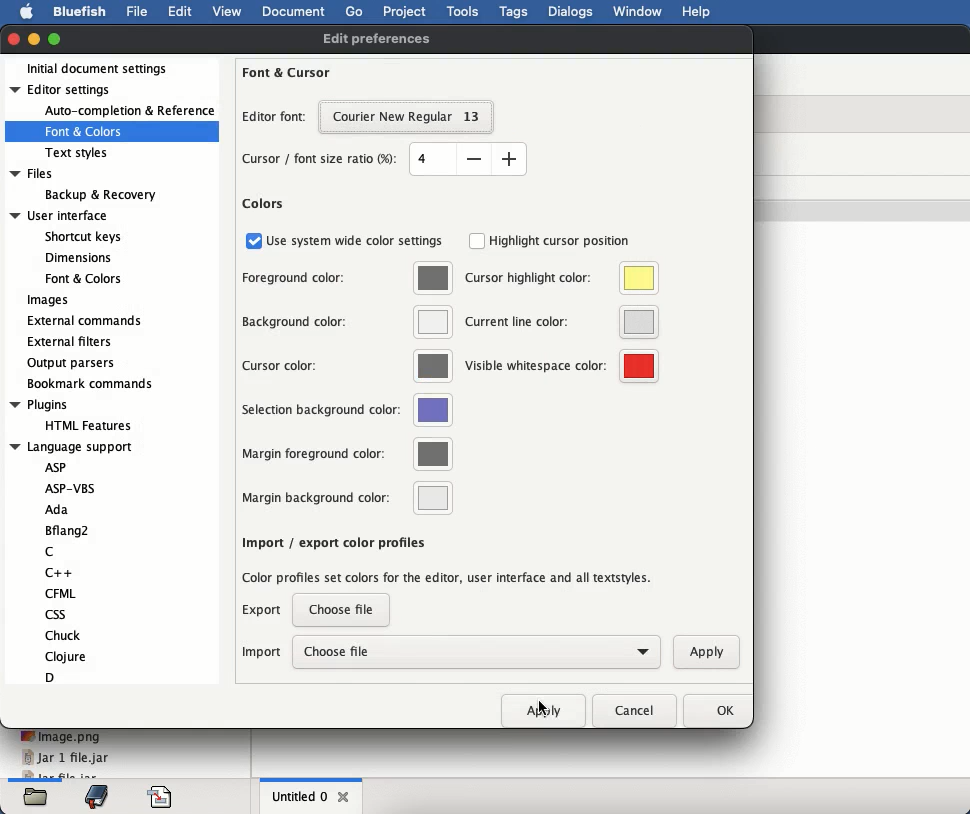 This screenshot has width=970, height=814. Describe the element at coordinates (344, 541) in the screenshot. I see `insert spaces instead of tabs` at that location.